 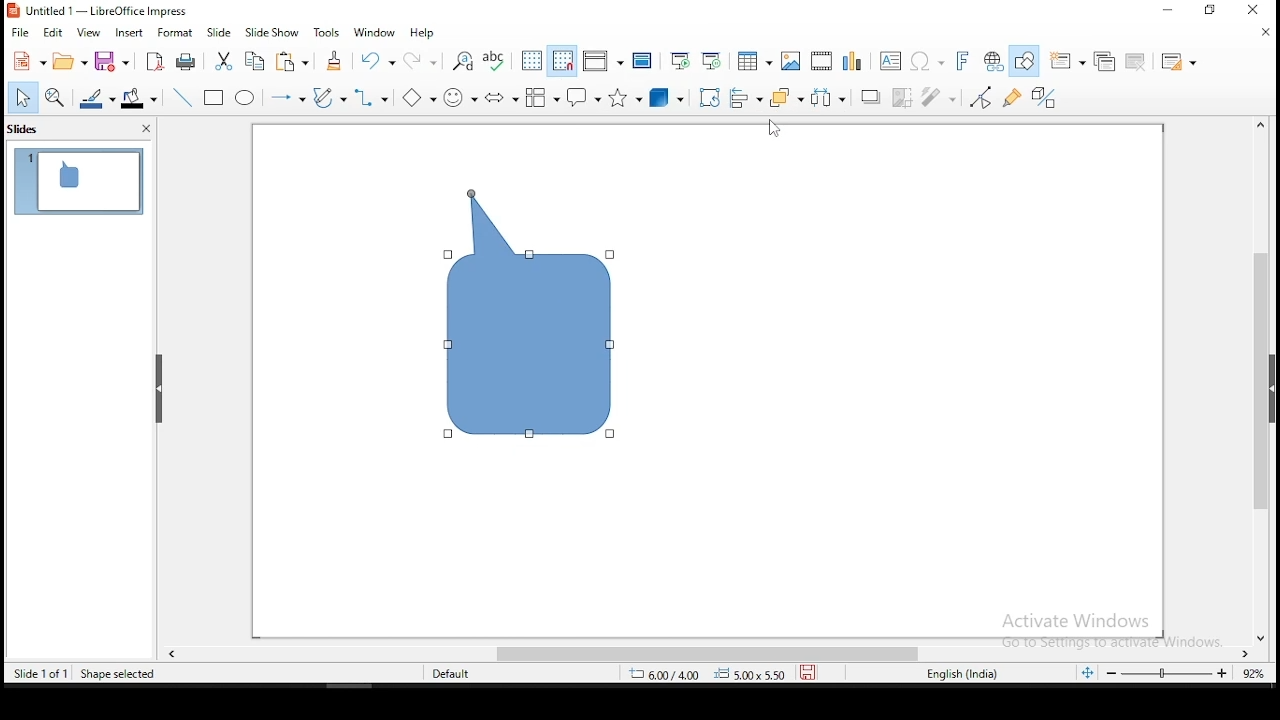 I want to click on slide 1, so click(x=76, y=181).